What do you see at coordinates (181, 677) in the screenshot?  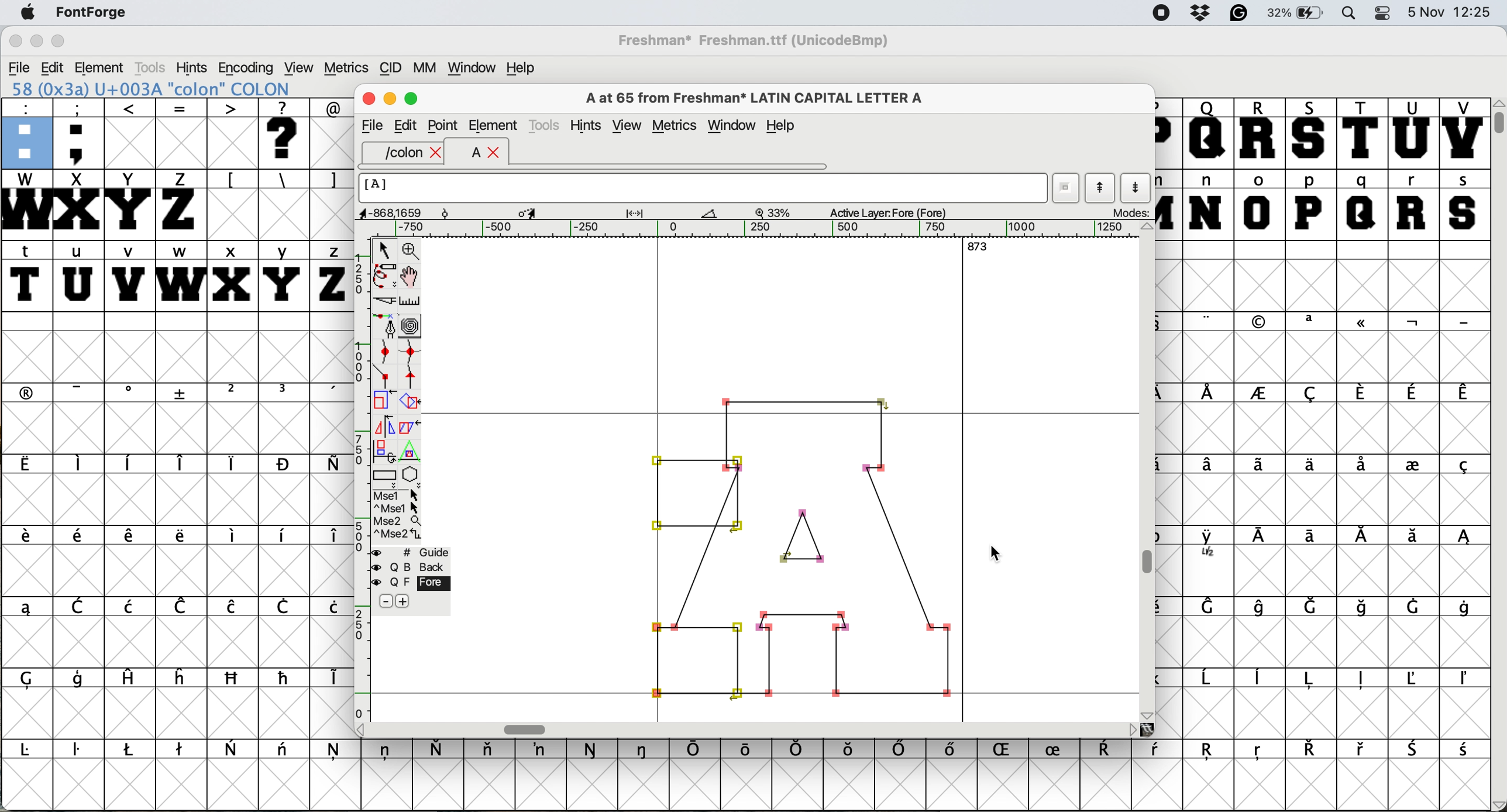 I see `symbol` at bounding box center [181, 677].